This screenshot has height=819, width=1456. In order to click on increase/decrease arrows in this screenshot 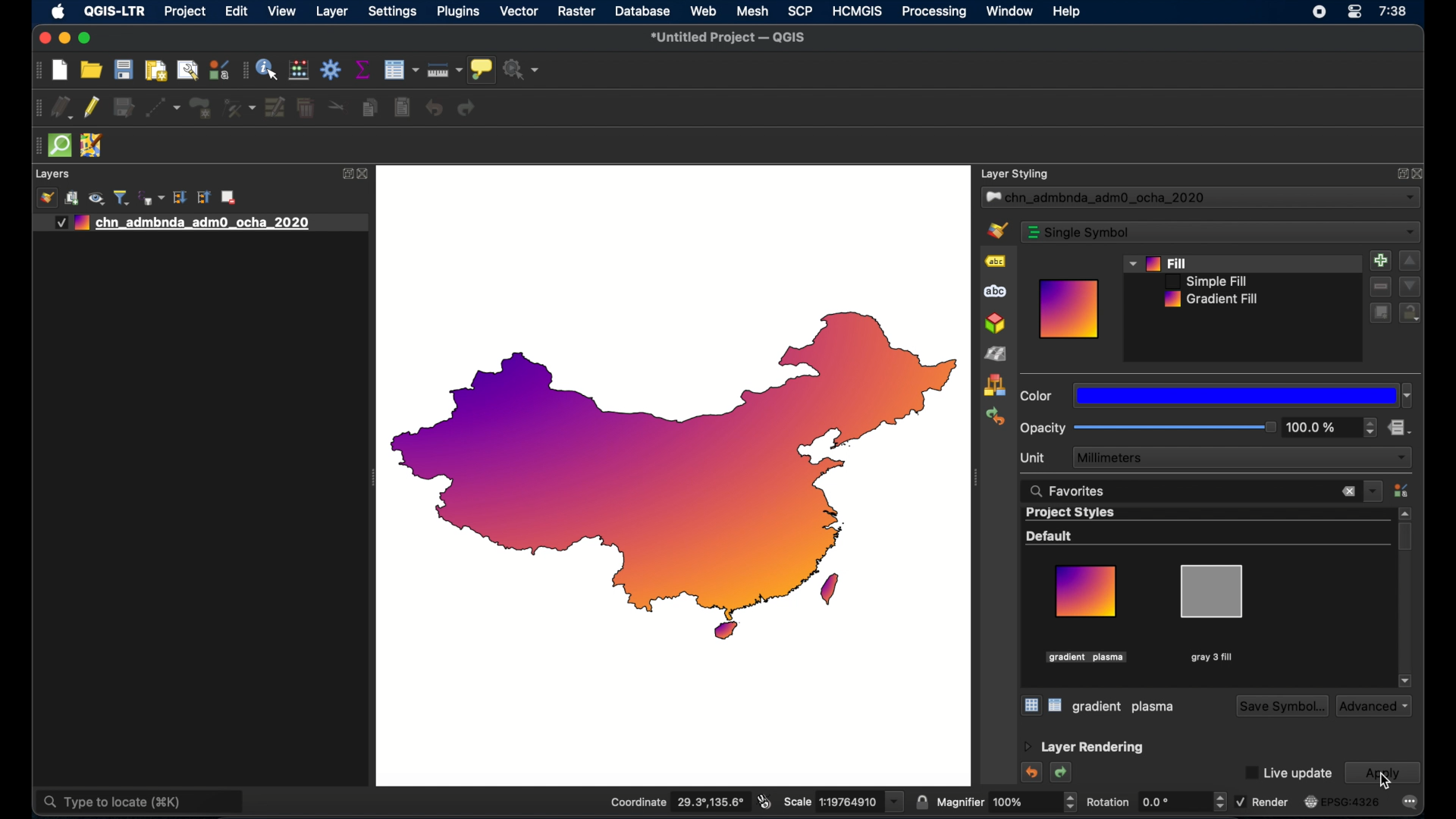, I will do `click(1068, 803)`.